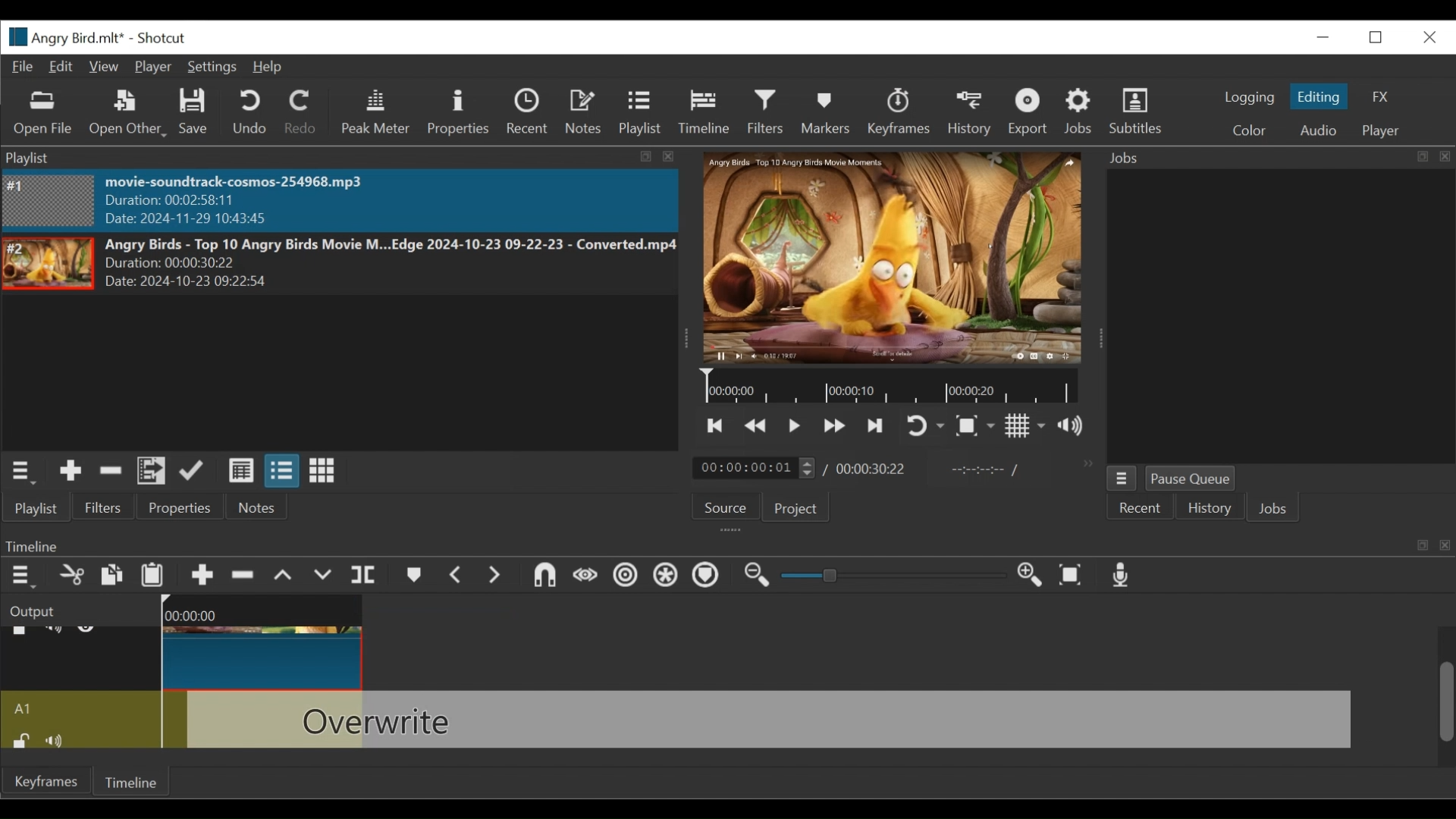 The width and height of the screenshot is (1456, 819). Describe the element at coordinates (1265, 317) in the screenshot. I see `Jobs Panel` at that location.